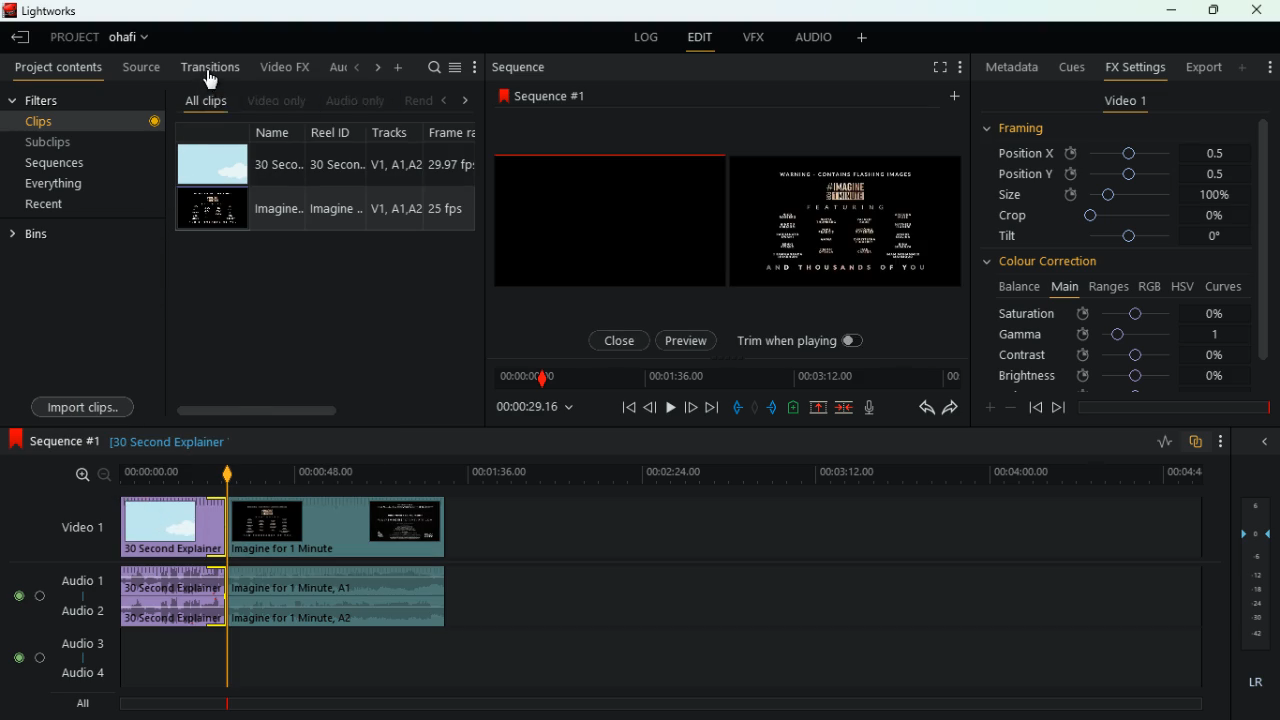  Describe the element at coordinates (171, 526) in the screenshot. I see `video` at that location.